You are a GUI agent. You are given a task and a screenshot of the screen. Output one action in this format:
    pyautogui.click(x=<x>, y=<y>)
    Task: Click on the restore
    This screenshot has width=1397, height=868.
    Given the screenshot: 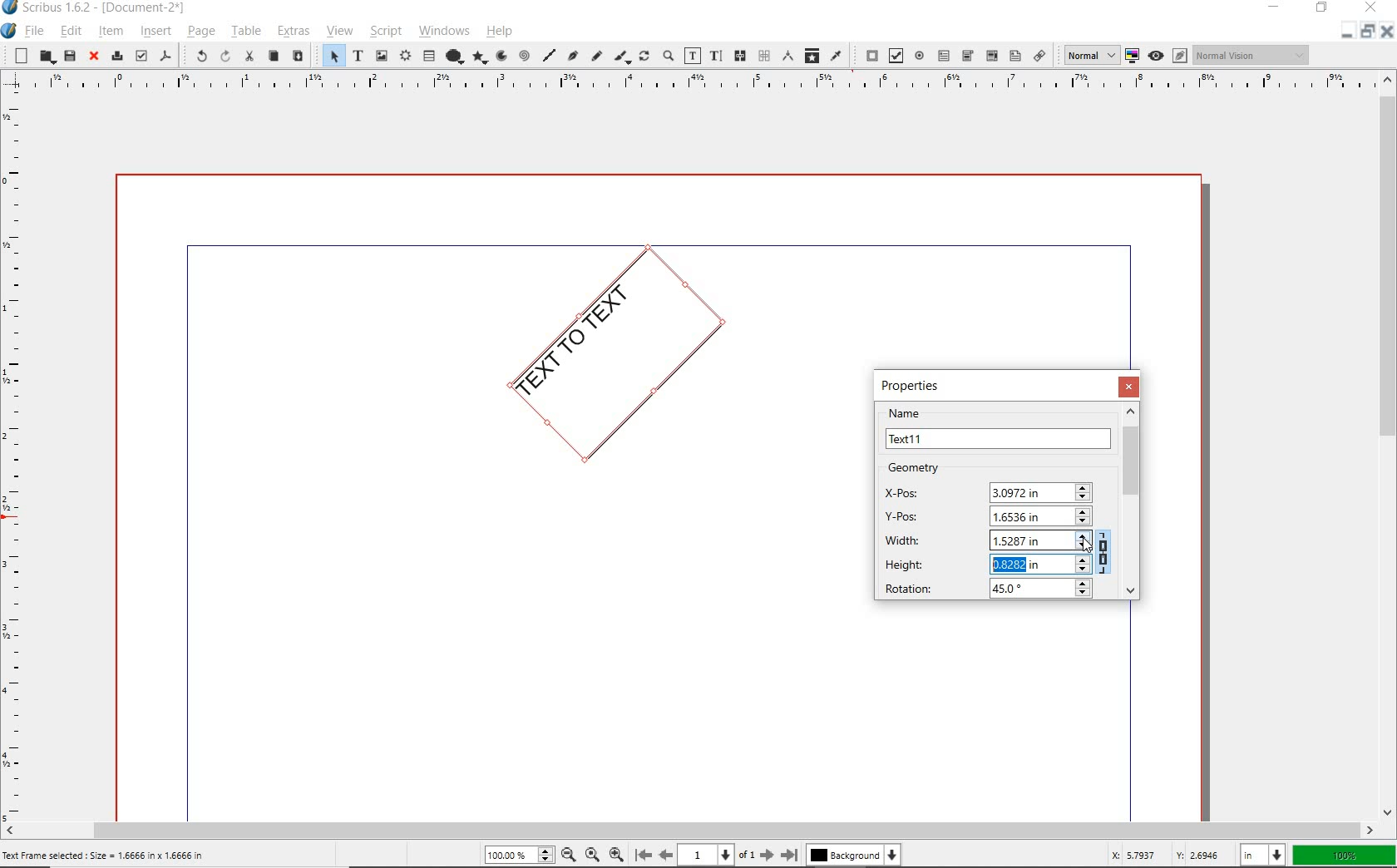 What is the action you would take?
    pyautogui.click(x=1322, y=9)
    